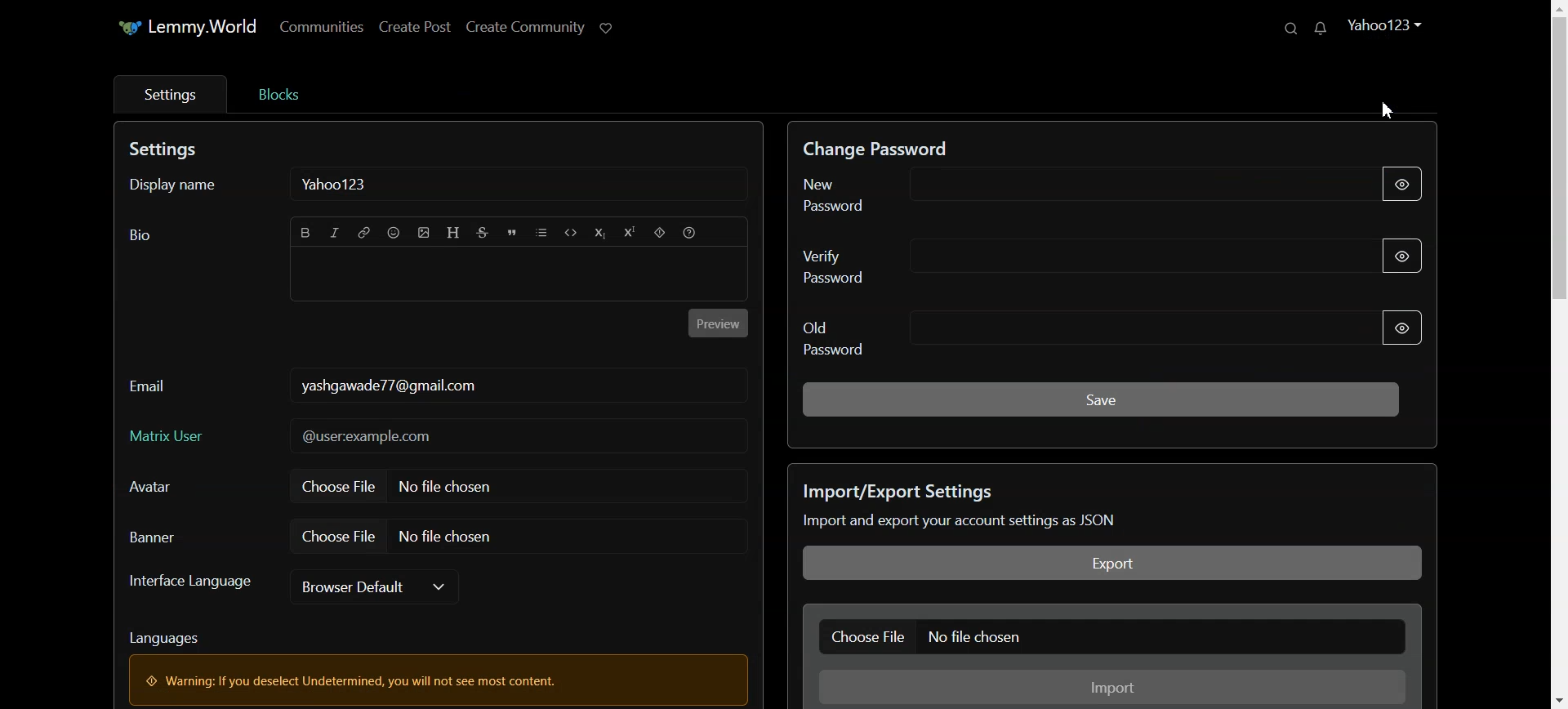 The width and height of the screenshot is (1568, 709). I want to click on Matrix User, so click(179, 435).